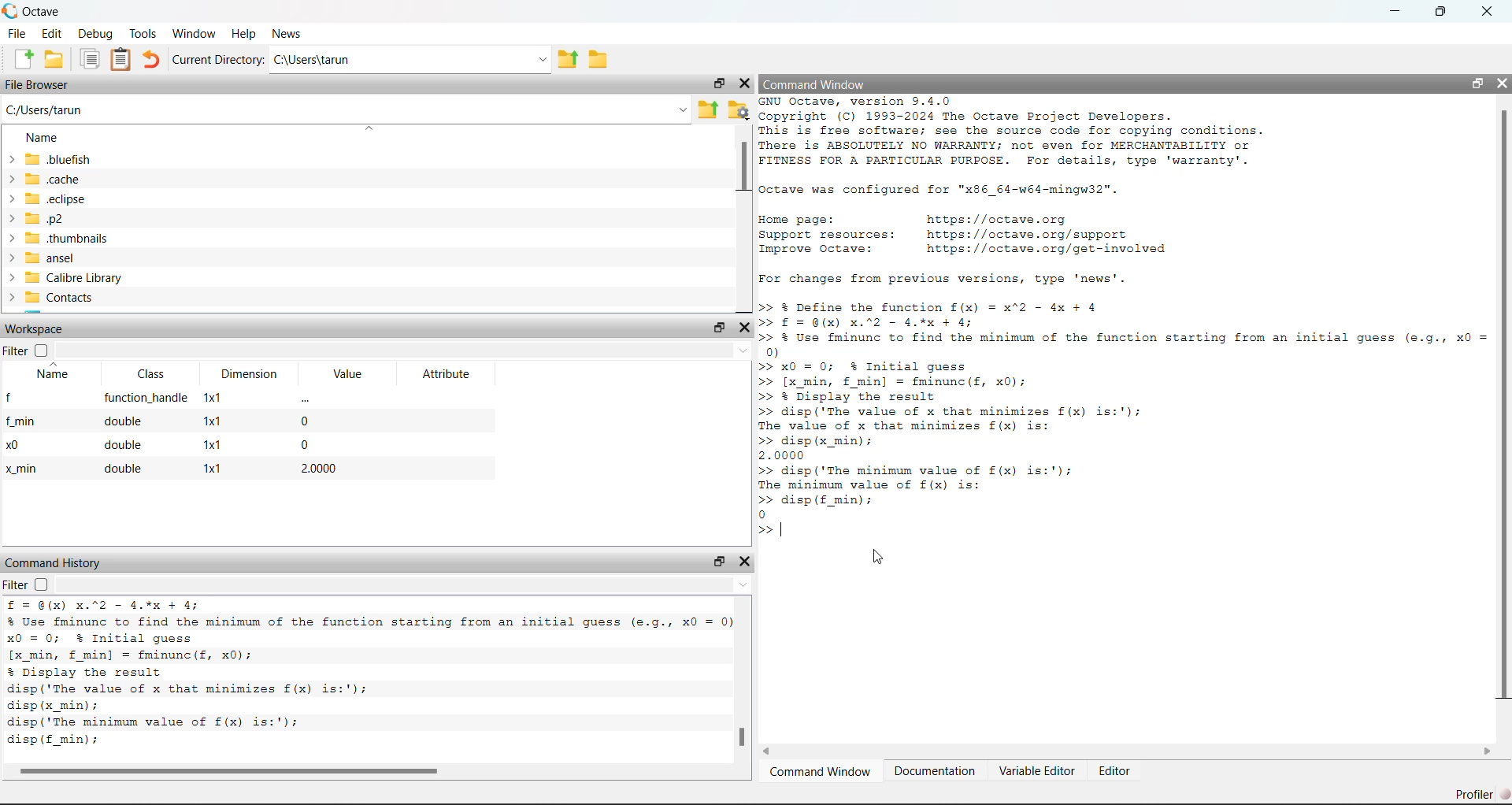 This screenshot has height=805, width=1512. I want to click on Close, so click(747, 82).